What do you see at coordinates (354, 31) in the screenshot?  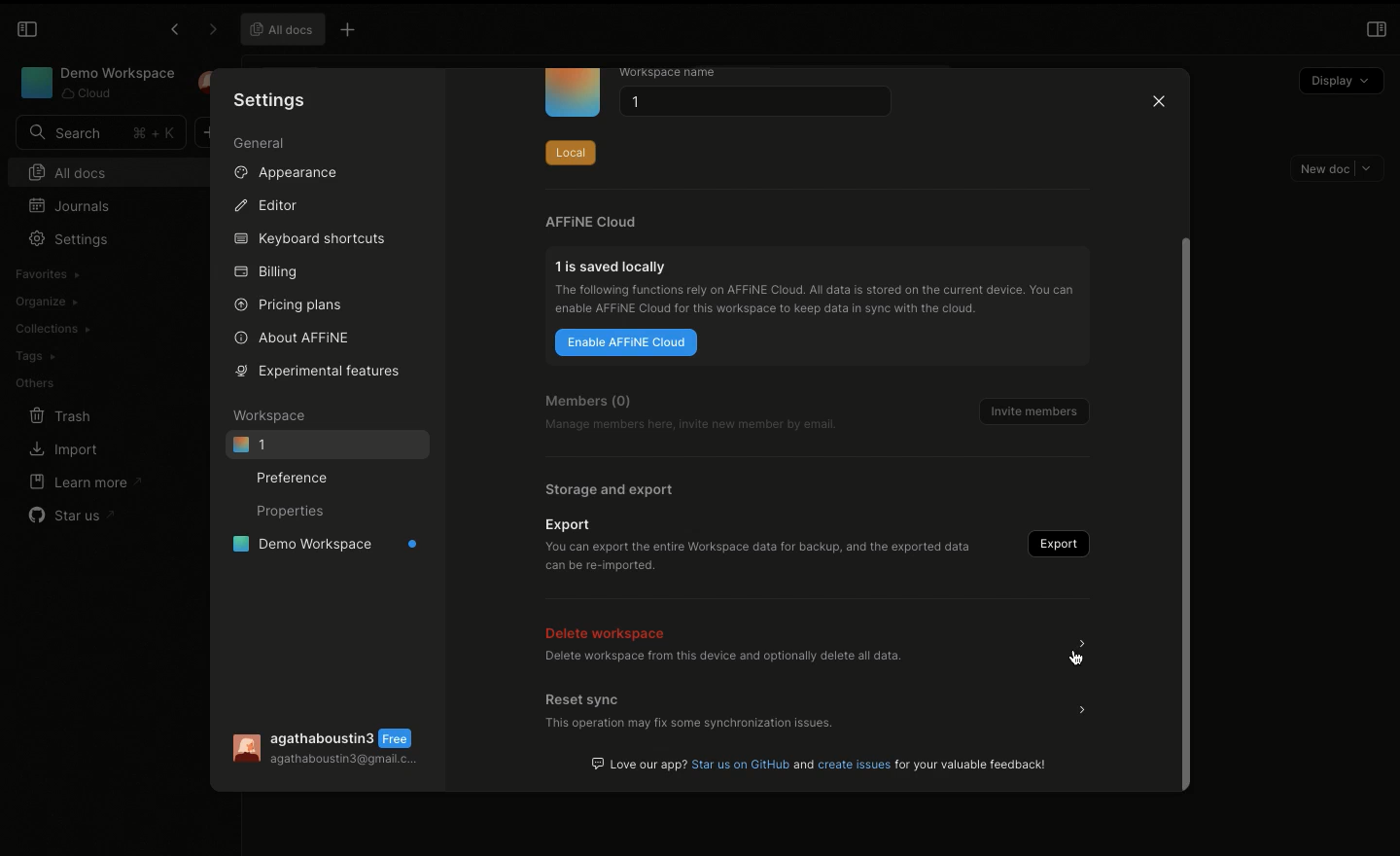 I see `New Tab` at bounding box center [354, 31].